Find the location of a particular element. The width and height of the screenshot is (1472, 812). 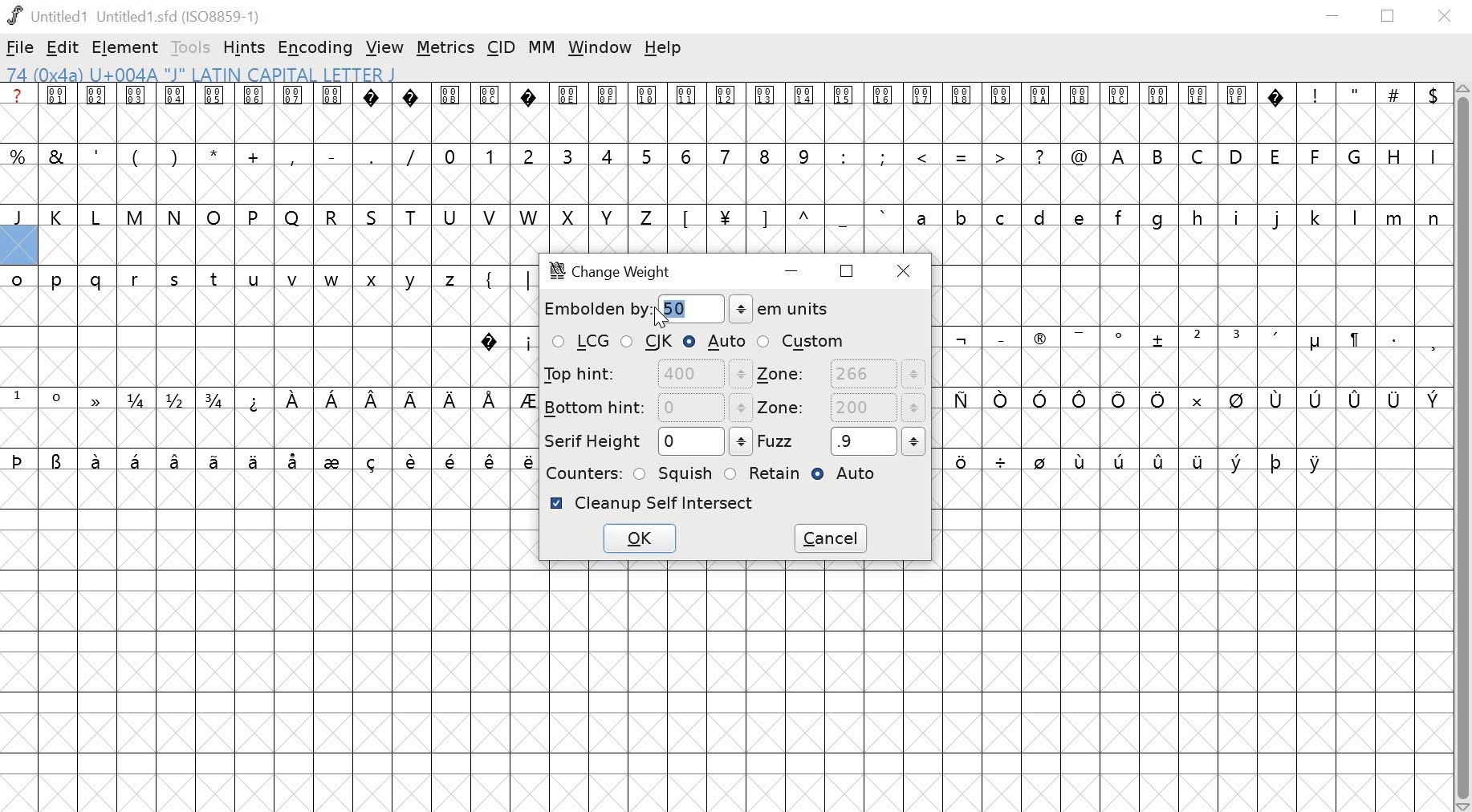

symbols is located at coordinates (501, 278).